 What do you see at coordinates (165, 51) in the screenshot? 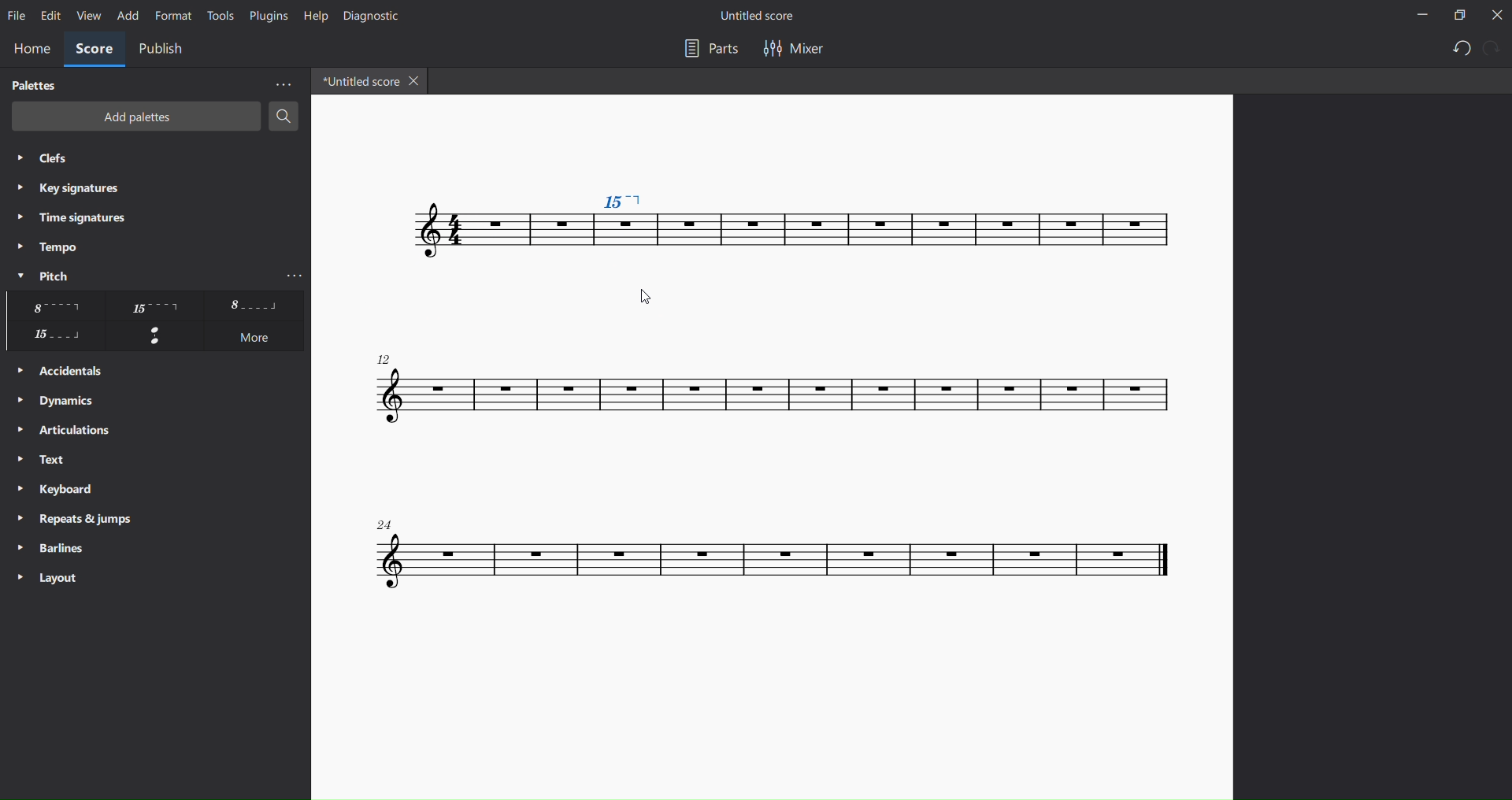
I see `public` at bounding box center [165, 51].